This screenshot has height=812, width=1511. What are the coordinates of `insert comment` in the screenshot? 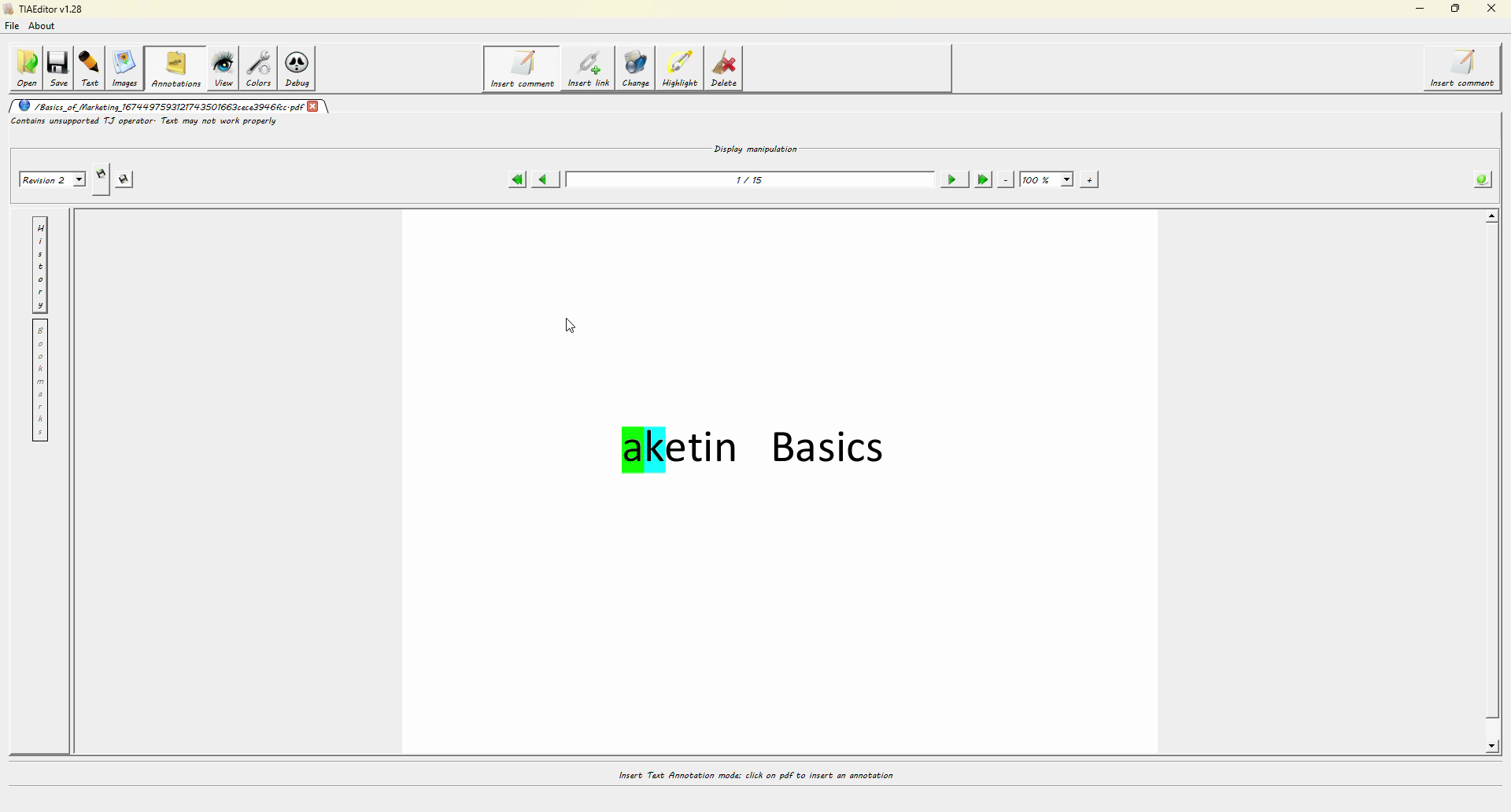 It's located at (520, 68).